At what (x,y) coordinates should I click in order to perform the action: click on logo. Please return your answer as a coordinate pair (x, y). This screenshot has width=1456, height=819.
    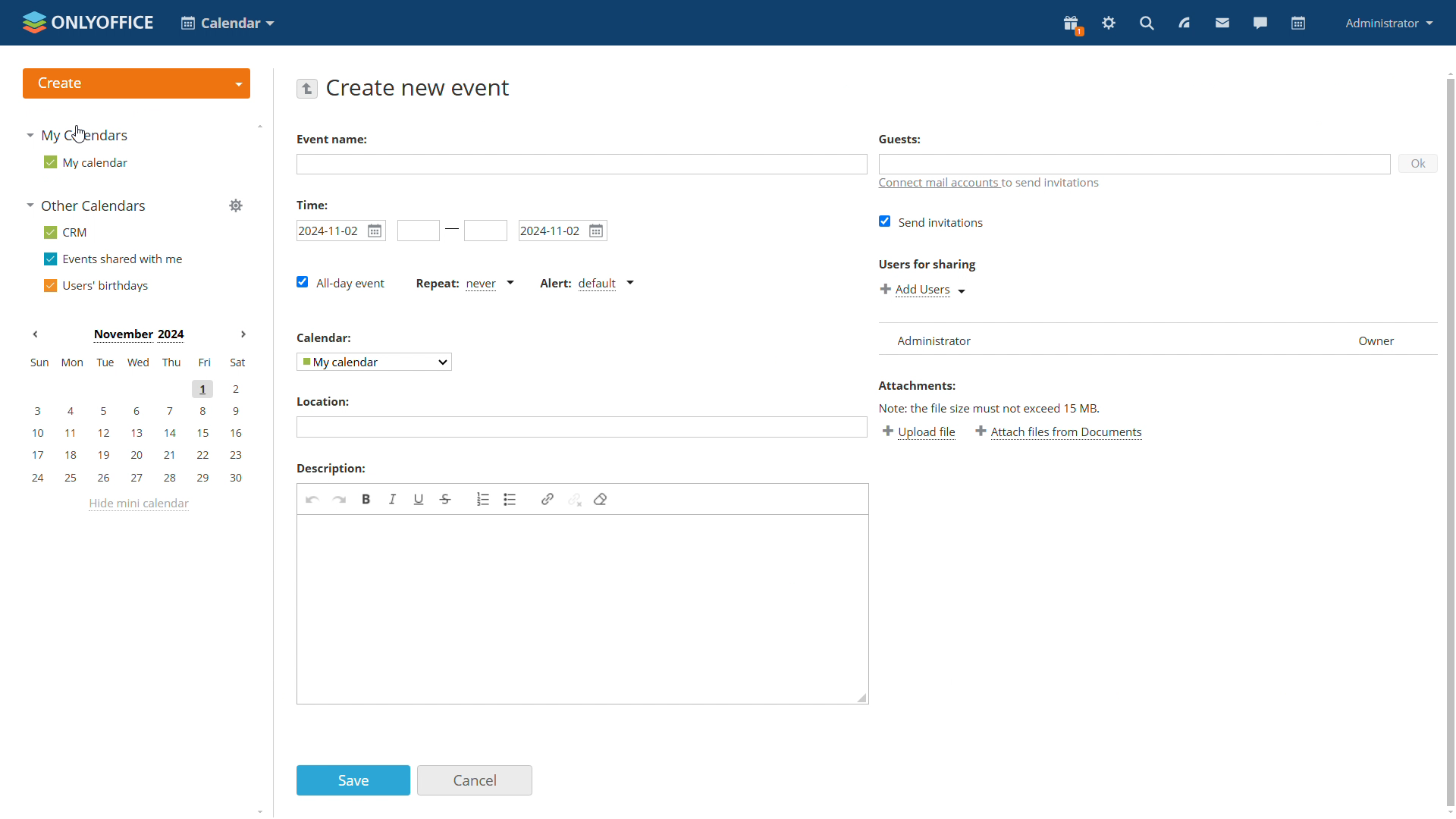
    Looking at the image, I should click on (86, 20).